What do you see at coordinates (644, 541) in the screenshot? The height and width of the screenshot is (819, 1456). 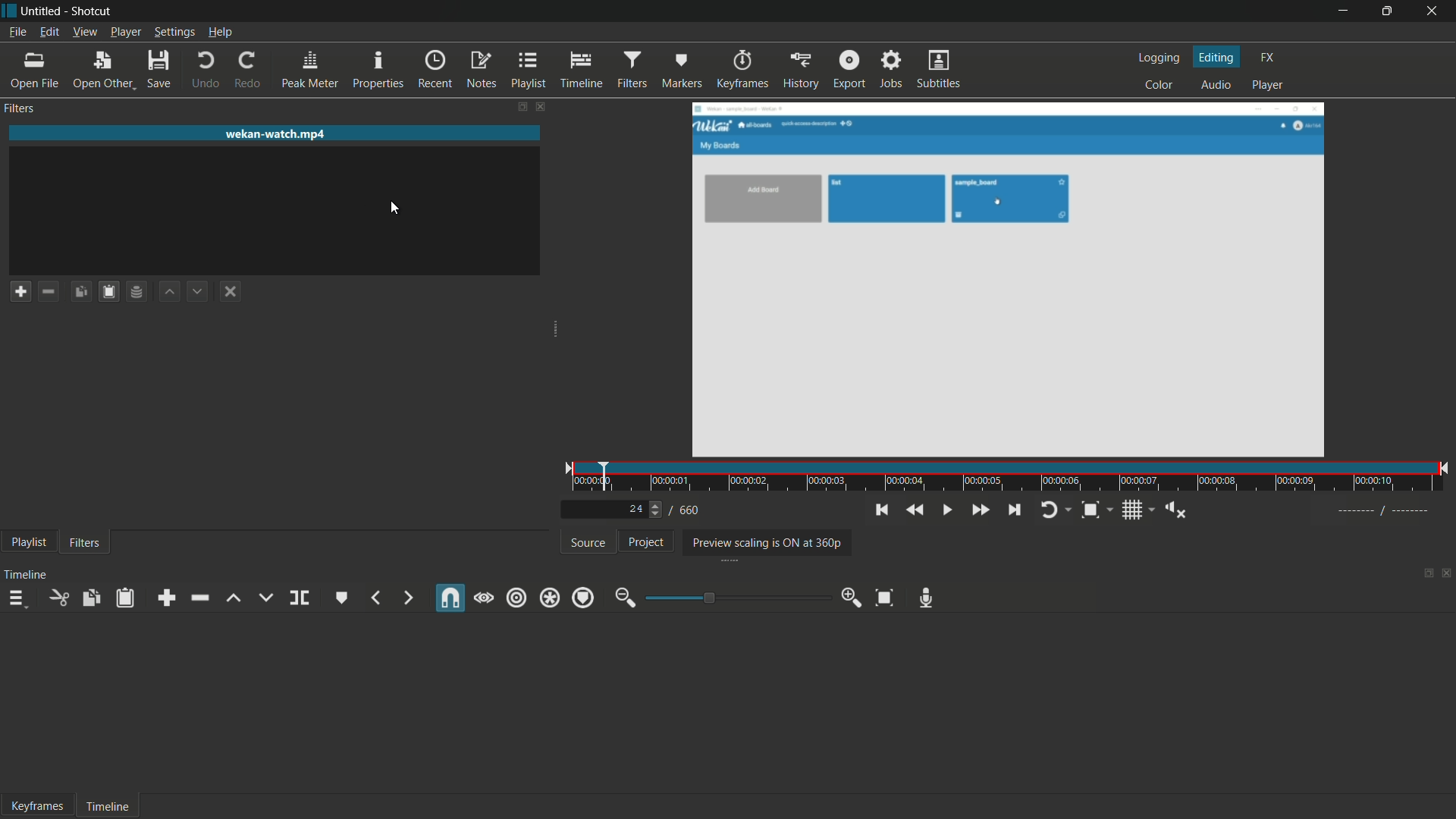 I see `project` at bounding box center [644, 541].